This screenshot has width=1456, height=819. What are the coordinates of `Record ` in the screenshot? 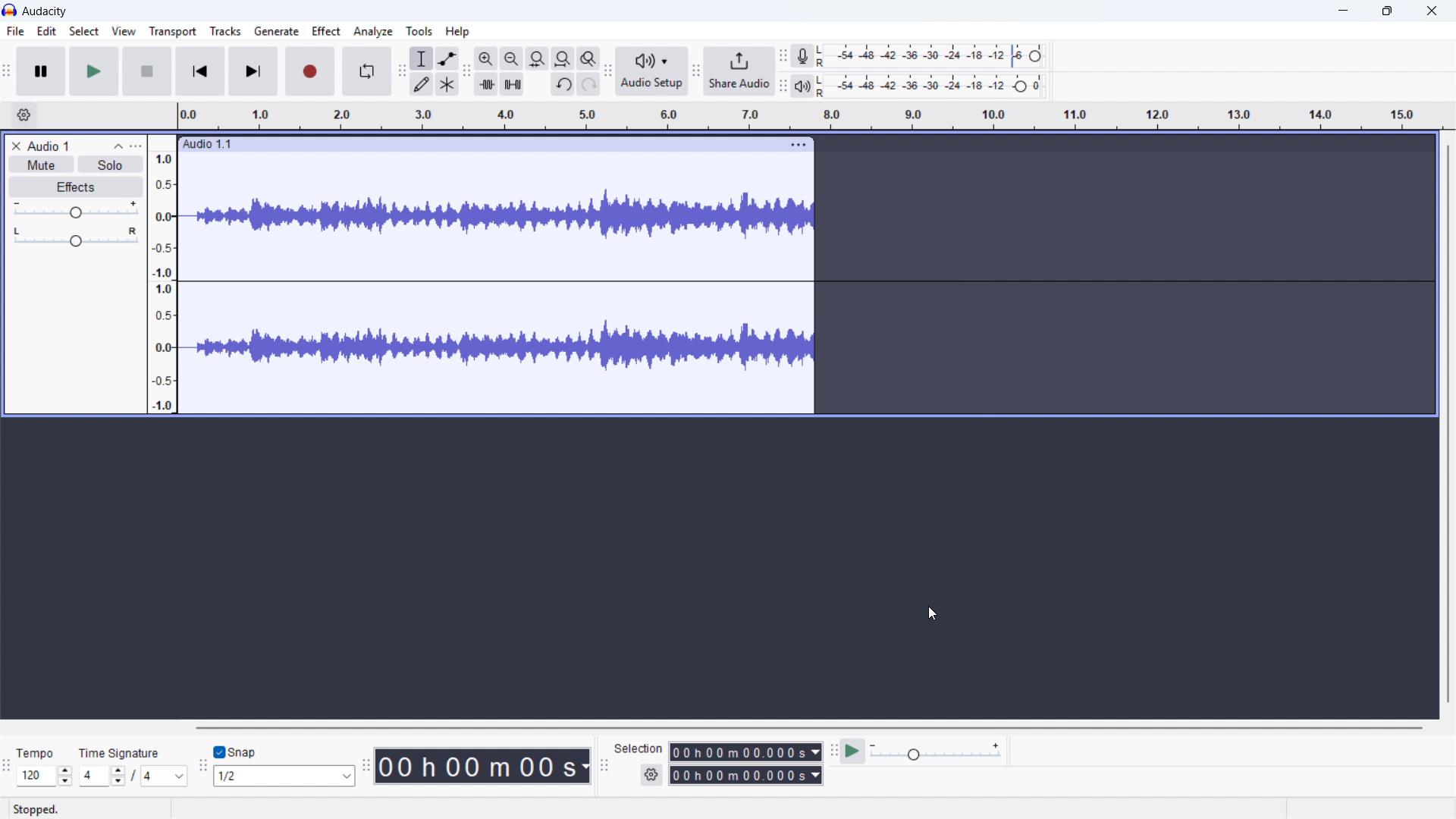 It's located at (310, 71).